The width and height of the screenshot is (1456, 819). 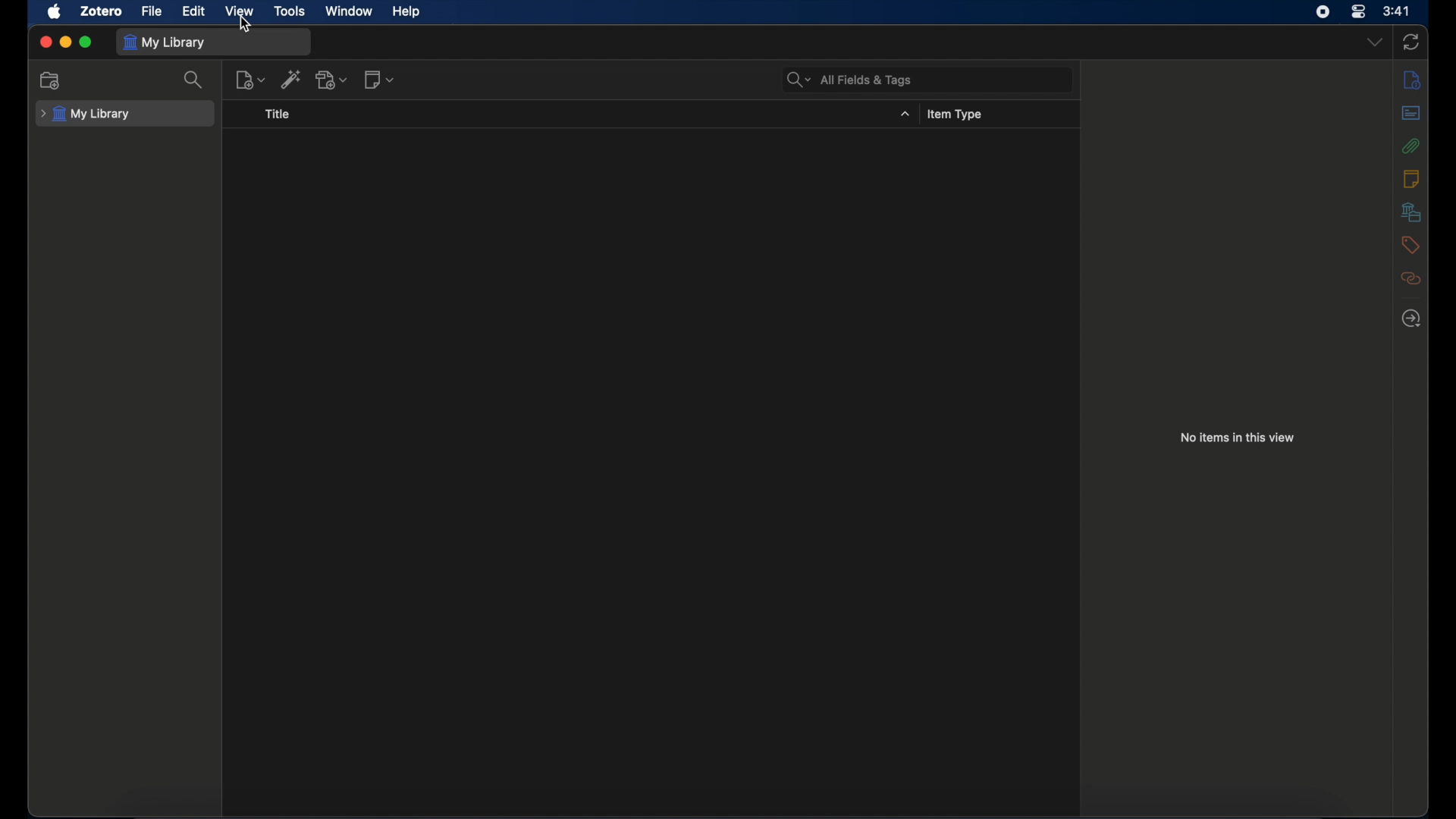 What do you see at coordinates (249, 80) in the screenshot?
I see `new item` at bounding box center [249, 80].